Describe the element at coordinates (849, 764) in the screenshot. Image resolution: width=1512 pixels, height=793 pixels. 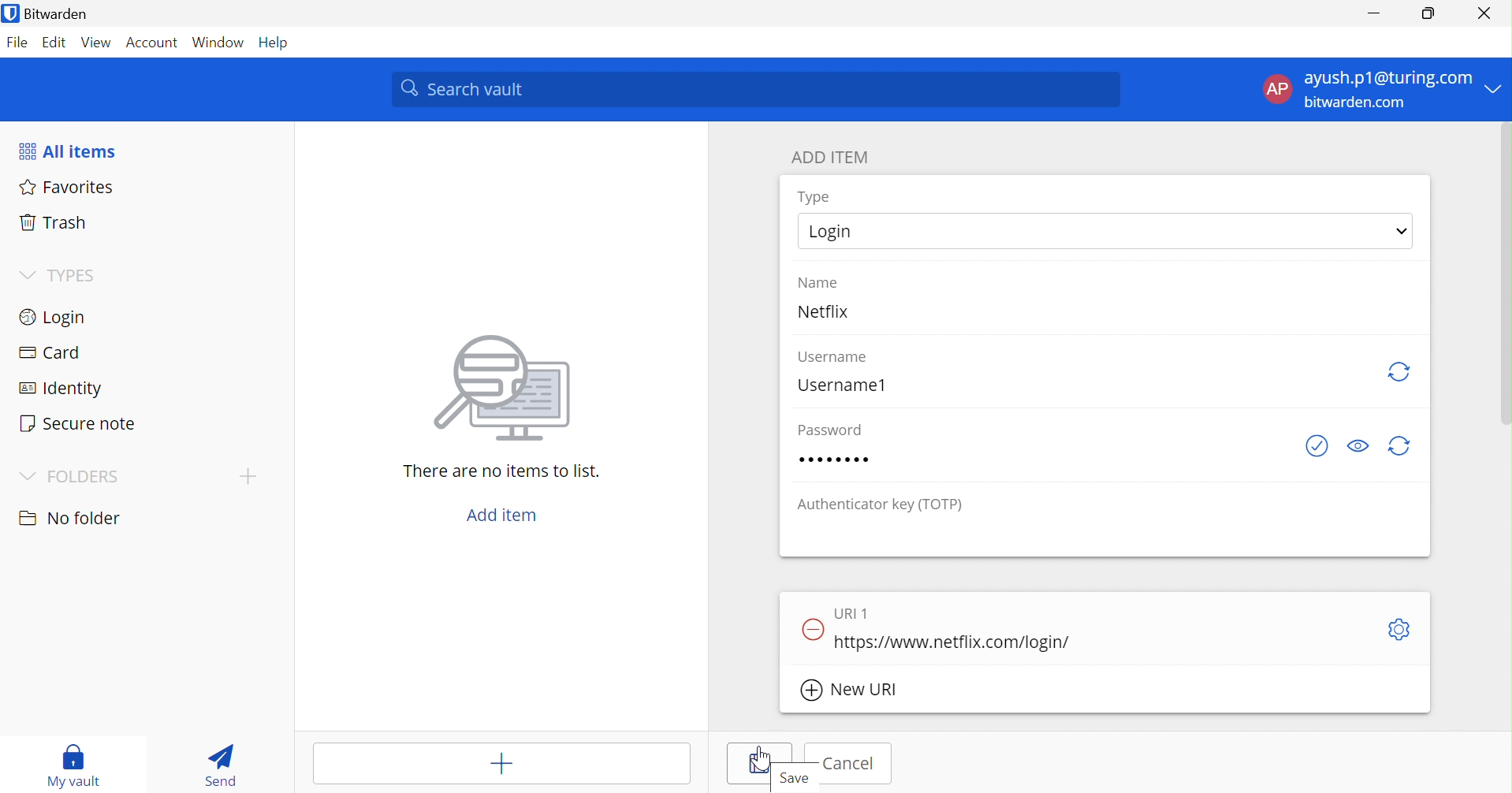
I see `Cancel` at that location.